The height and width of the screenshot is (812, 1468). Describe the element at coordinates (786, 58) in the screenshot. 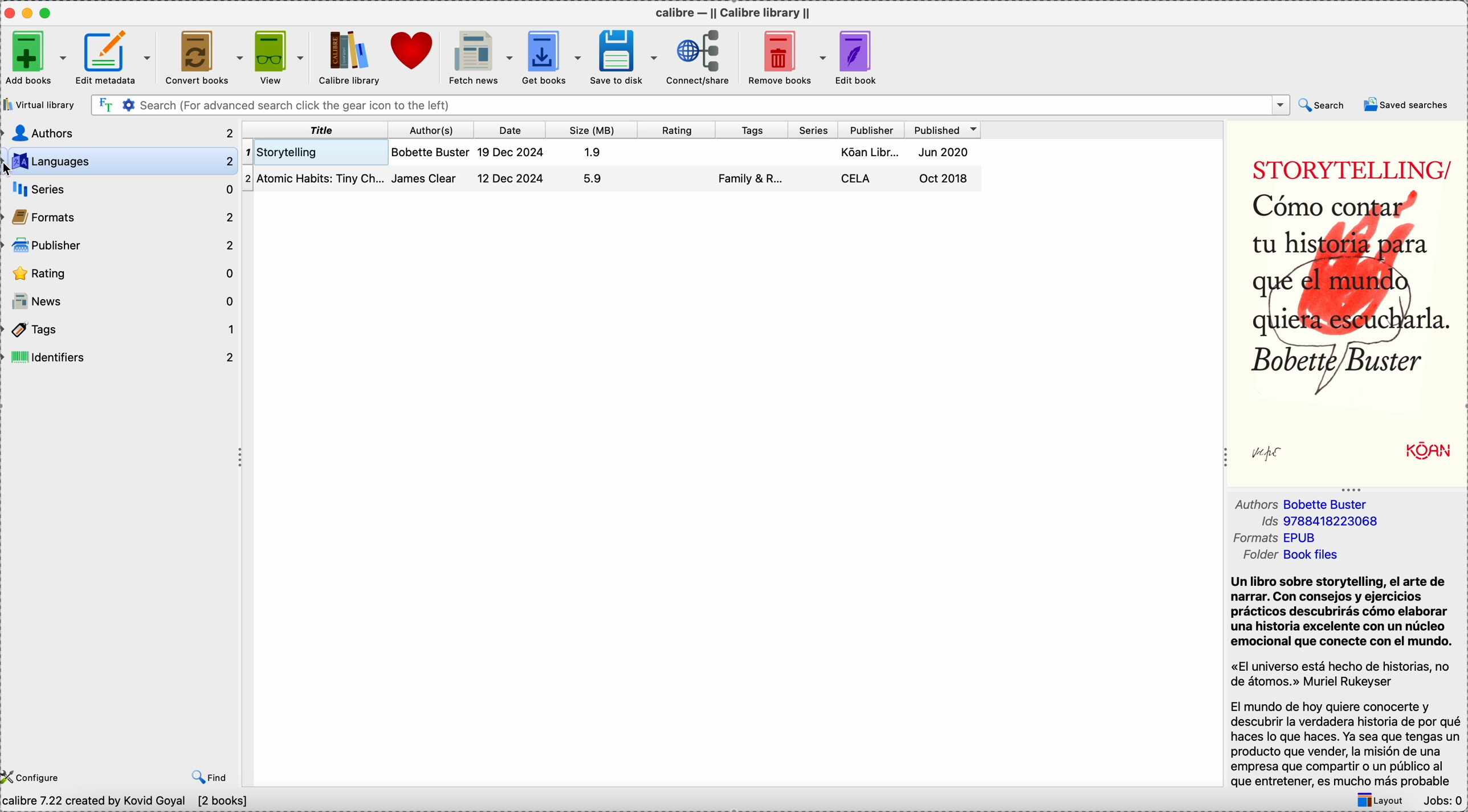

I see `remove books` at that location.